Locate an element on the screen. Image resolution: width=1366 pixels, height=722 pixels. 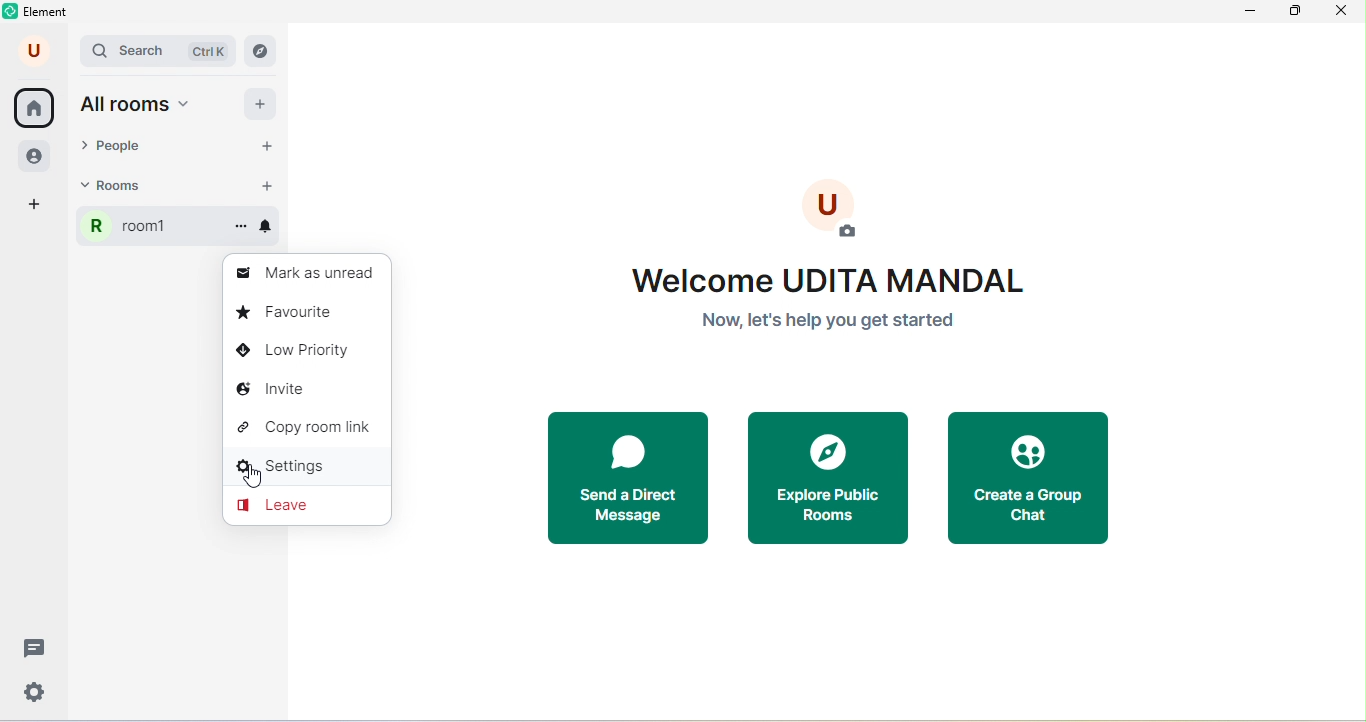
add photo is located at coordinates (842, 206).